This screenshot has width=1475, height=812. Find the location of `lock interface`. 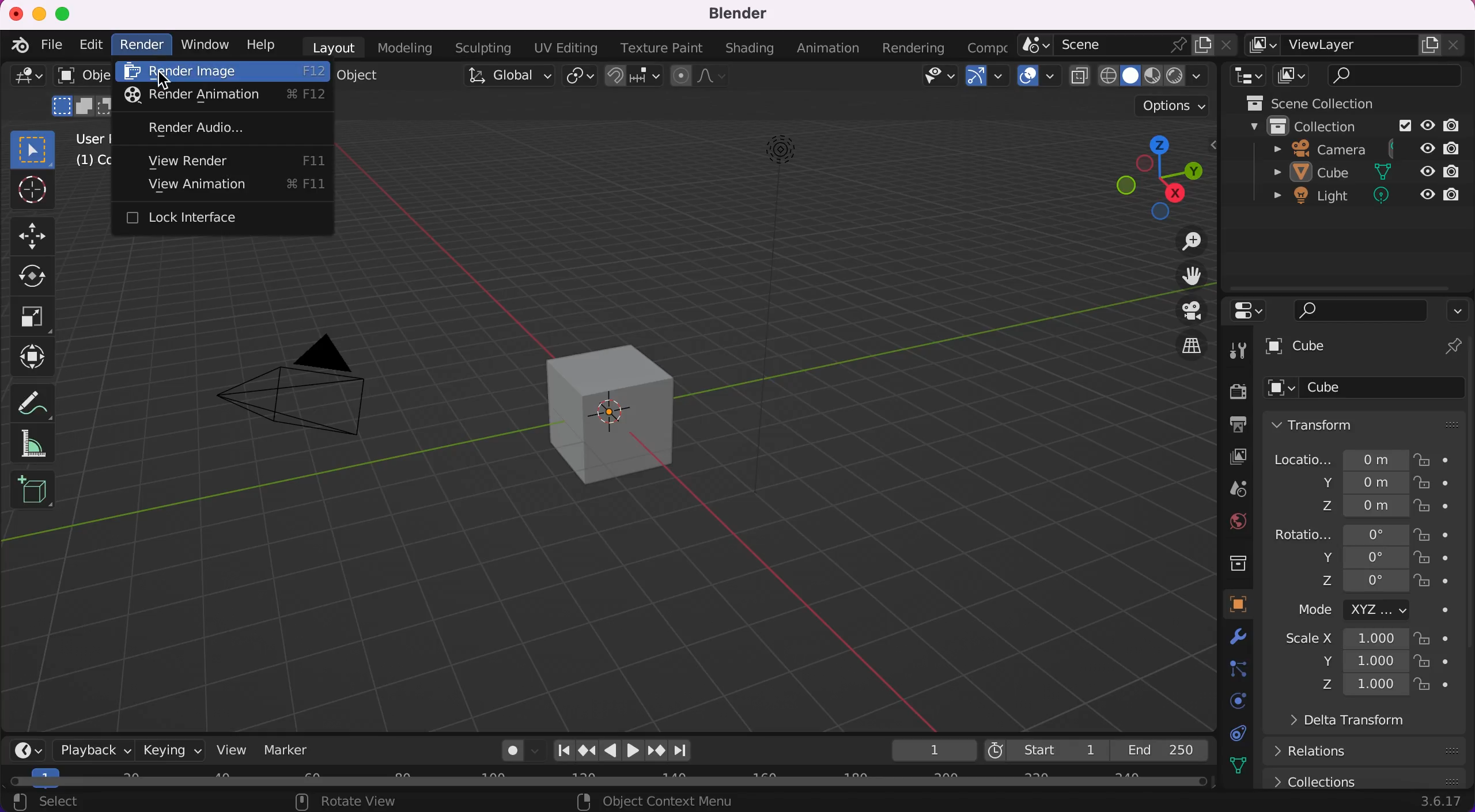

lock interface is located at coordinates (214, 219).